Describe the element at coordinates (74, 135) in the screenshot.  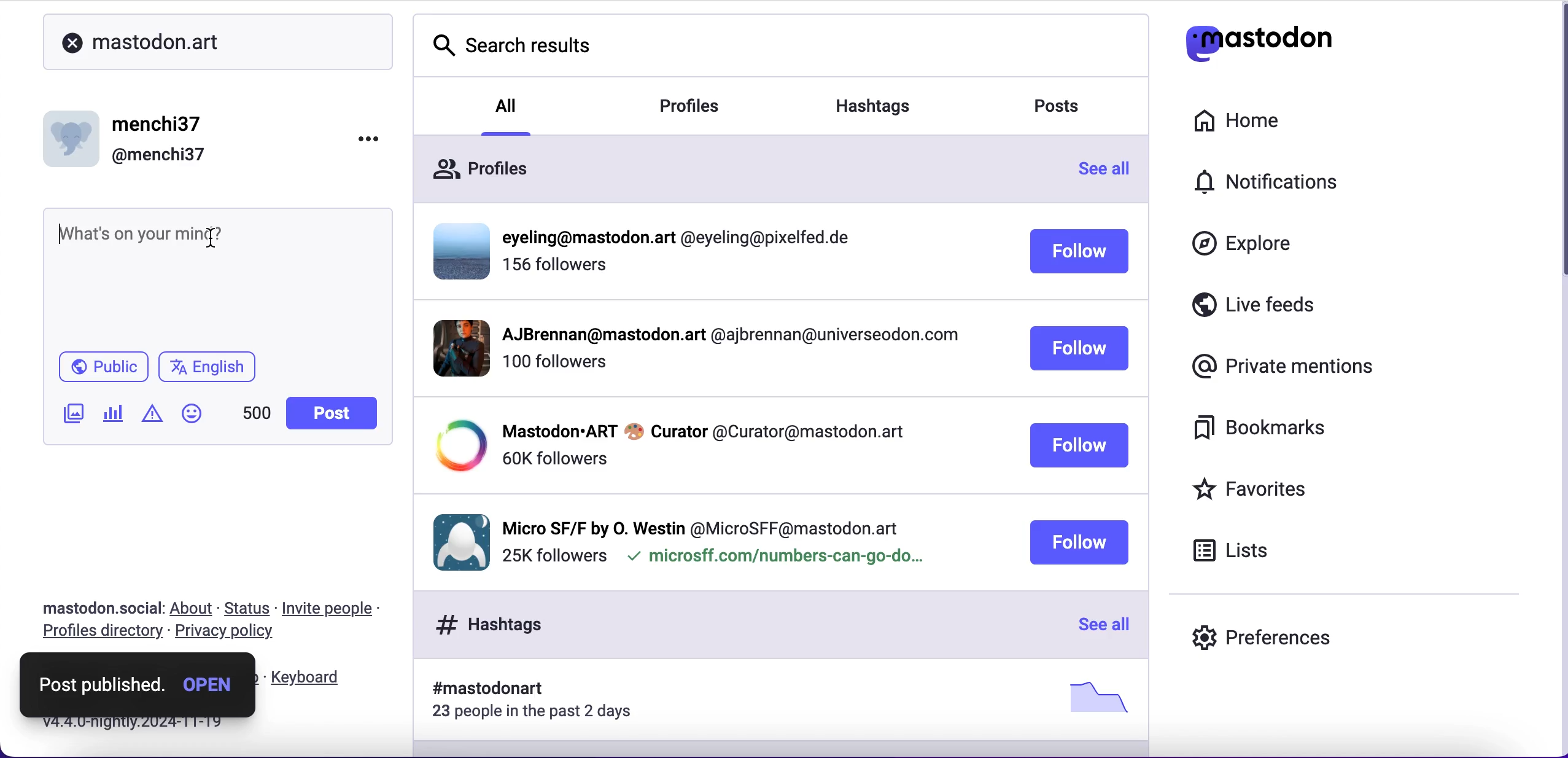
I see `display picture` at that location.